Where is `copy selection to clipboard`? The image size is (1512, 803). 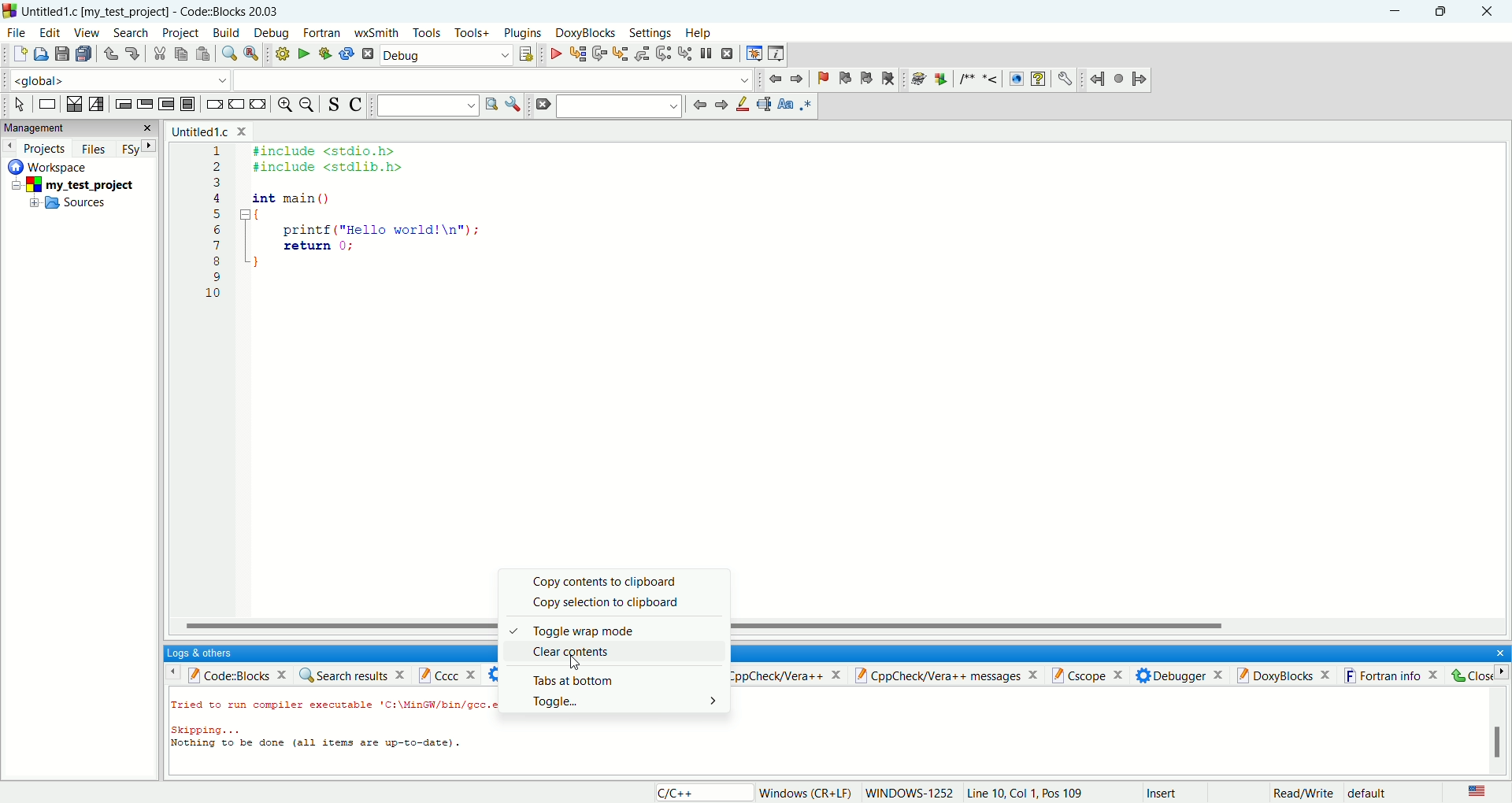
copy selection to clipboard is located at coordinates (623, 605).